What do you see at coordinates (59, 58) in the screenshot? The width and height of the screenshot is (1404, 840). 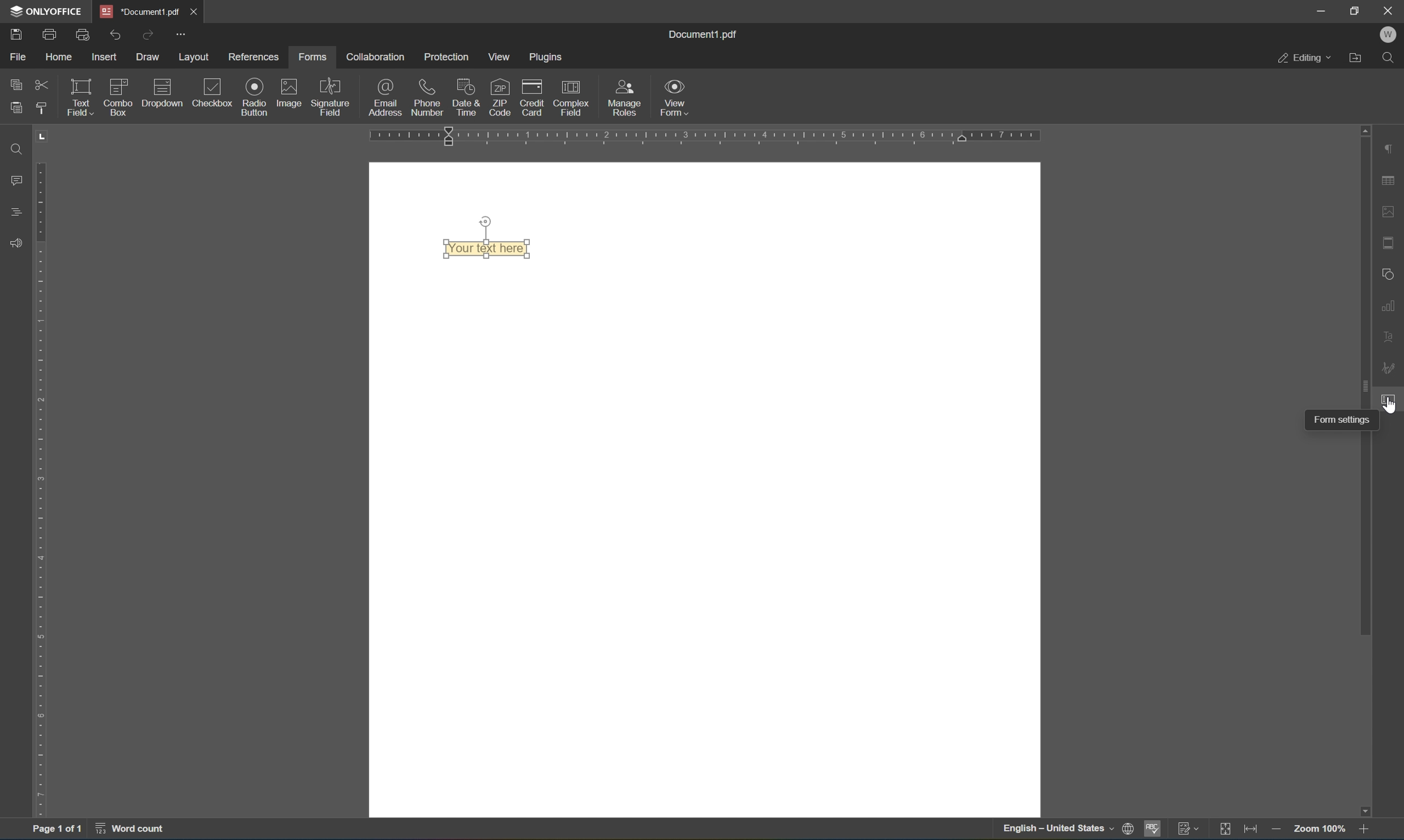 I see `home` at bounding box center [59, 58].